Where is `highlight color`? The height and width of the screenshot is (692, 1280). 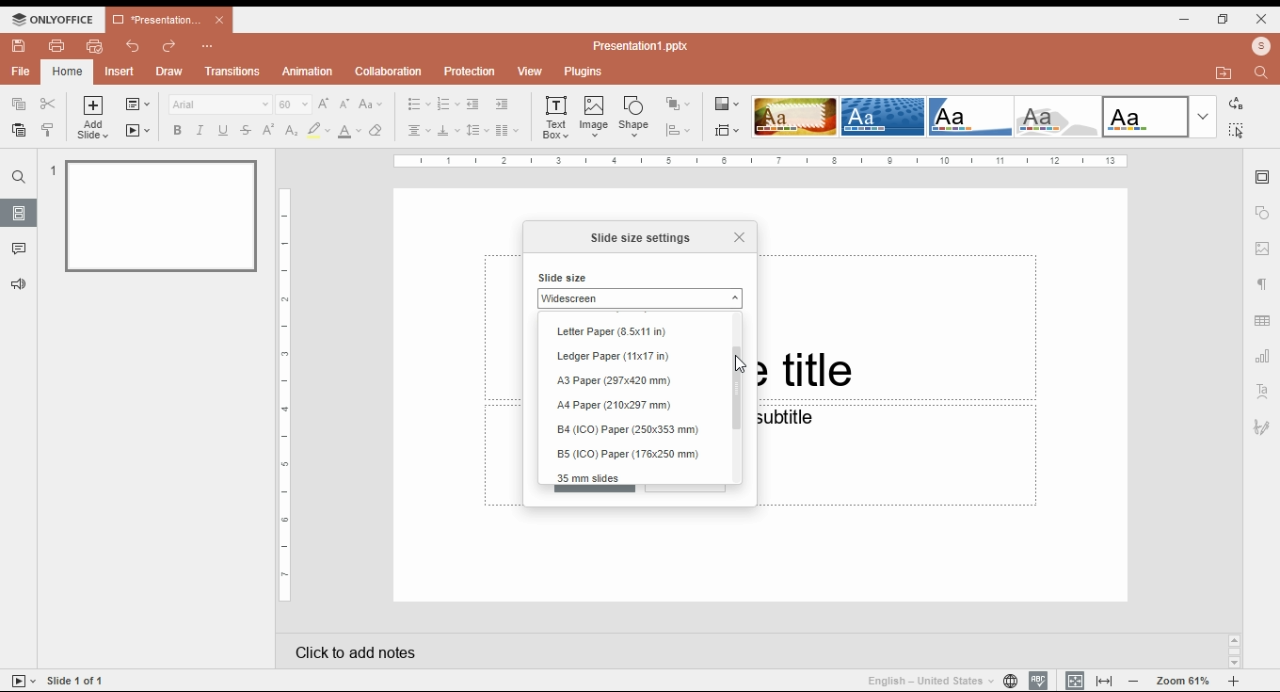 highlight color is located at coordinates (318, 130).